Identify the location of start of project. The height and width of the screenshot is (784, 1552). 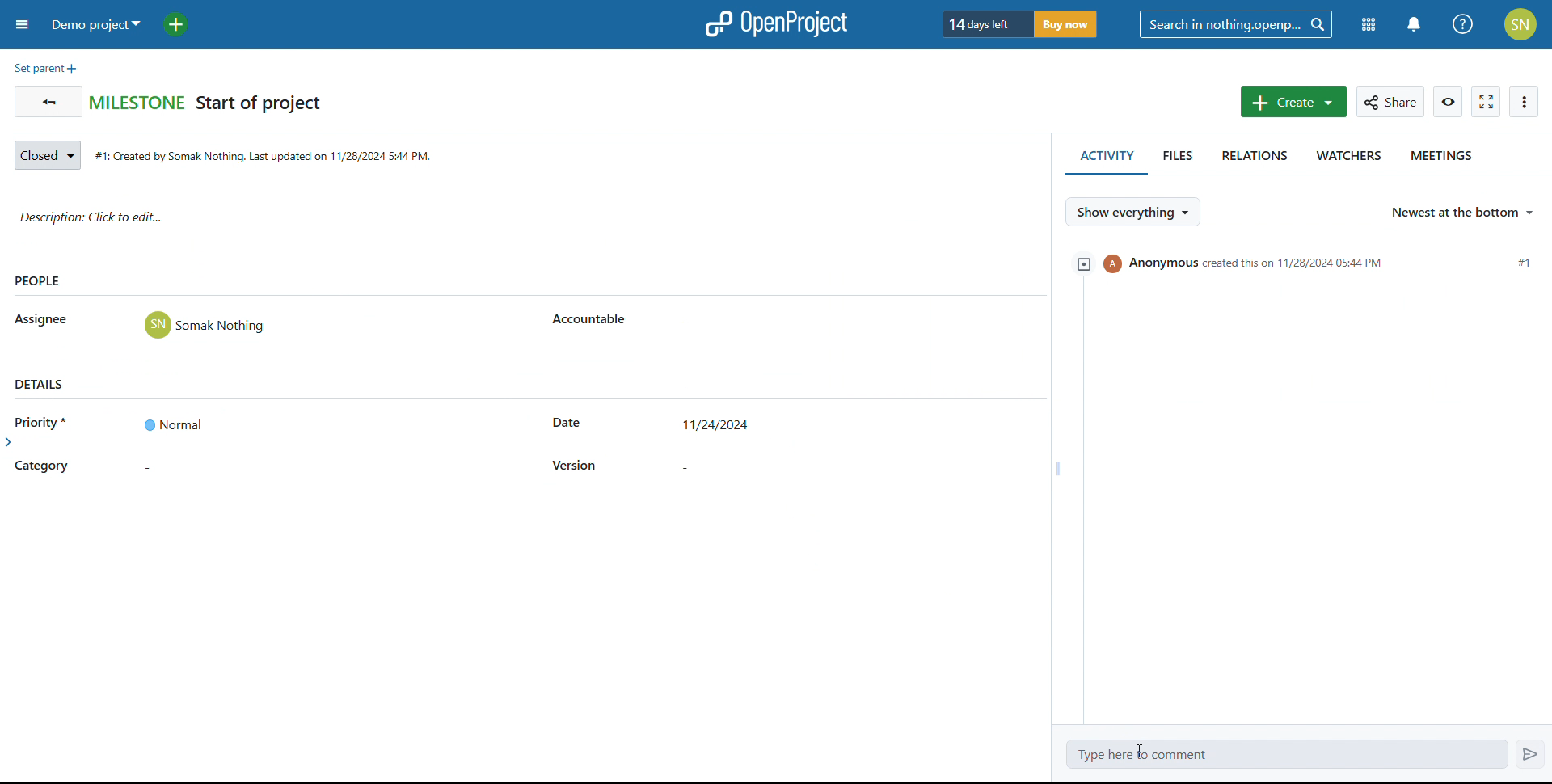
(259, 105).